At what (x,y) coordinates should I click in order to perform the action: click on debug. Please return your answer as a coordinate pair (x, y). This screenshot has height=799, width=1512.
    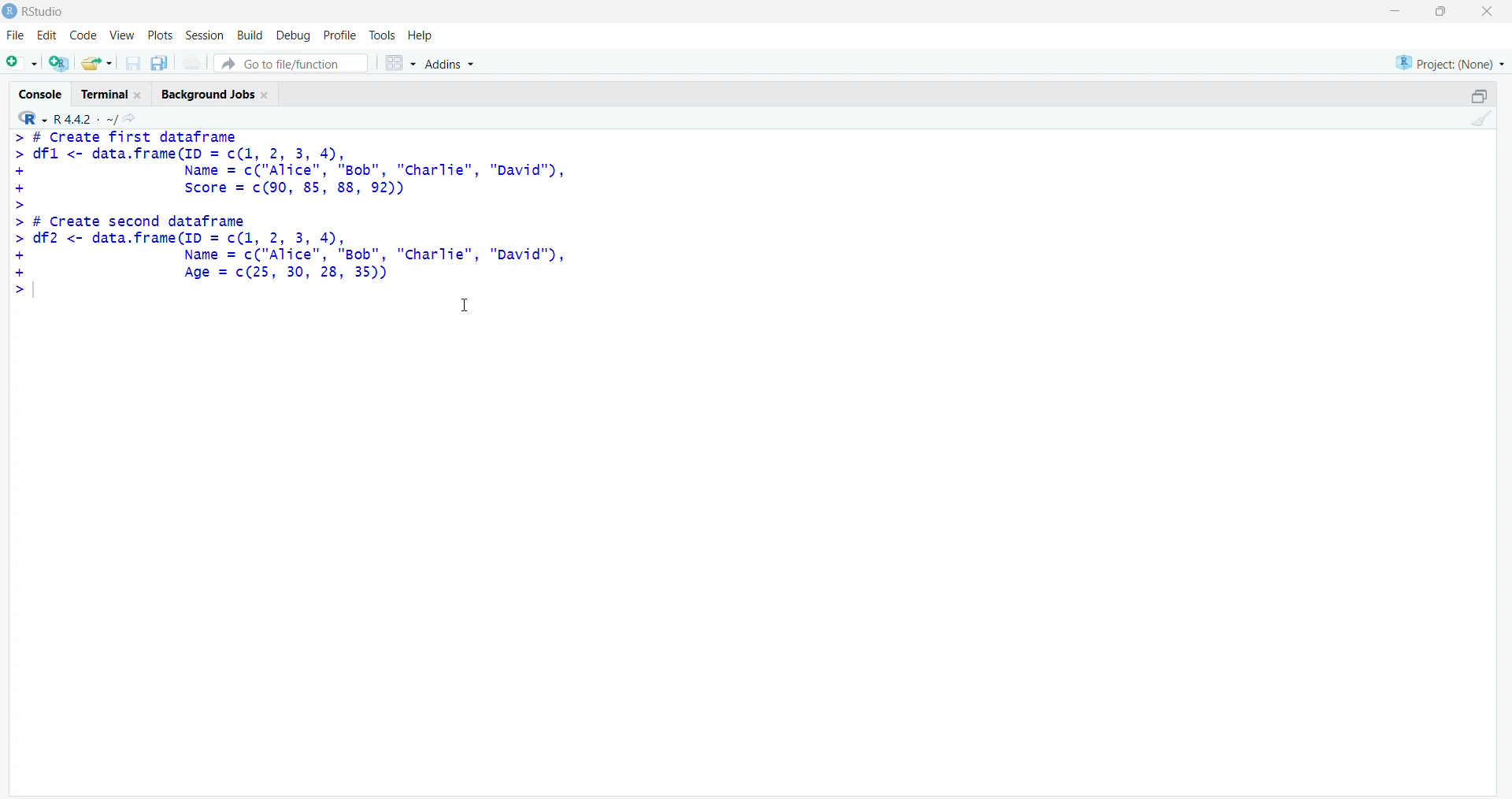
    Looking at the image, I should click on (295, 36).